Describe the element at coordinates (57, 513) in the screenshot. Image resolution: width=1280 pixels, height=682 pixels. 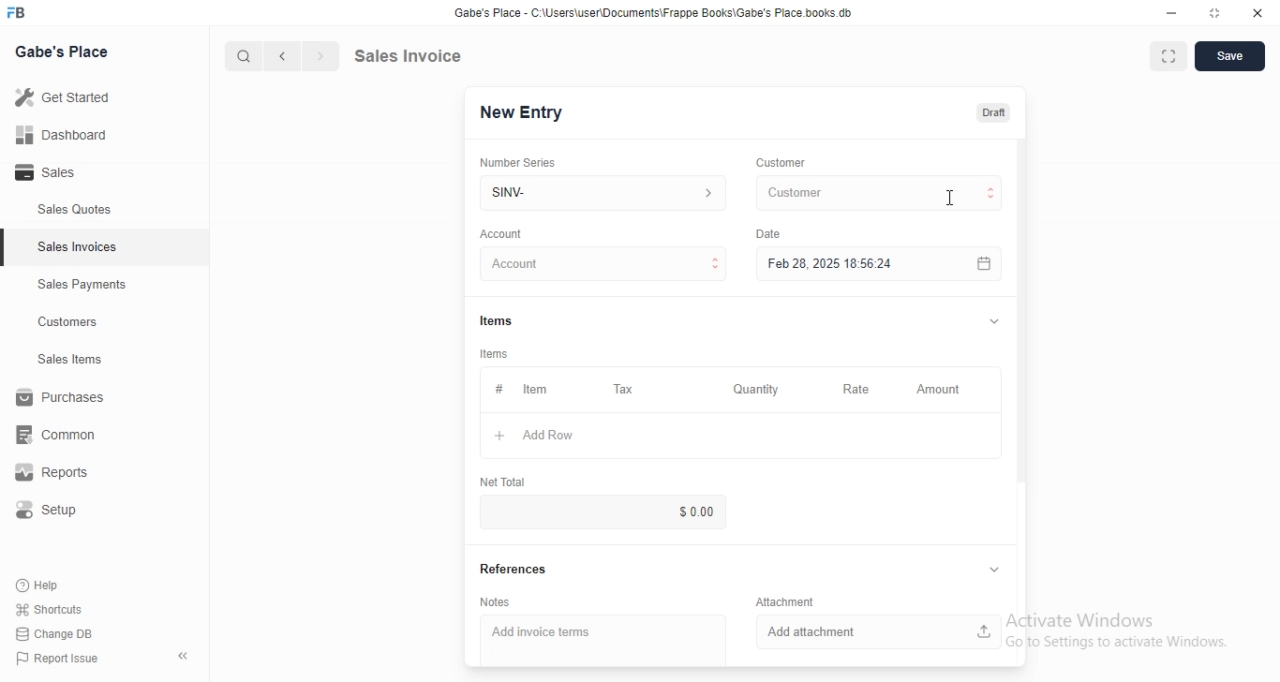
I see `Setup` at that location.